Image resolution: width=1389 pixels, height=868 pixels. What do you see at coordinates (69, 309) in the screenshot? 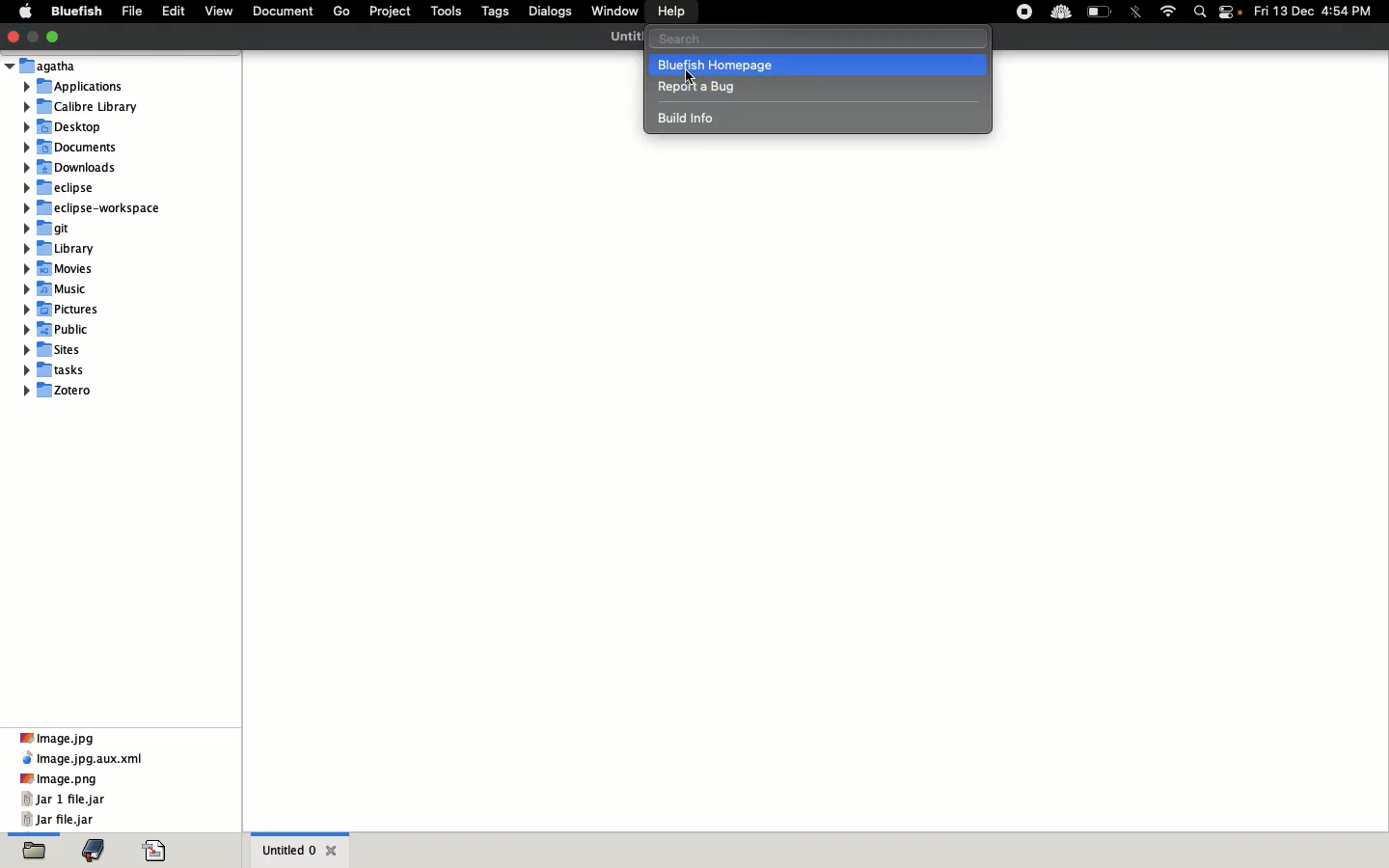
I see `pictures` at bounding box center [69, 309].